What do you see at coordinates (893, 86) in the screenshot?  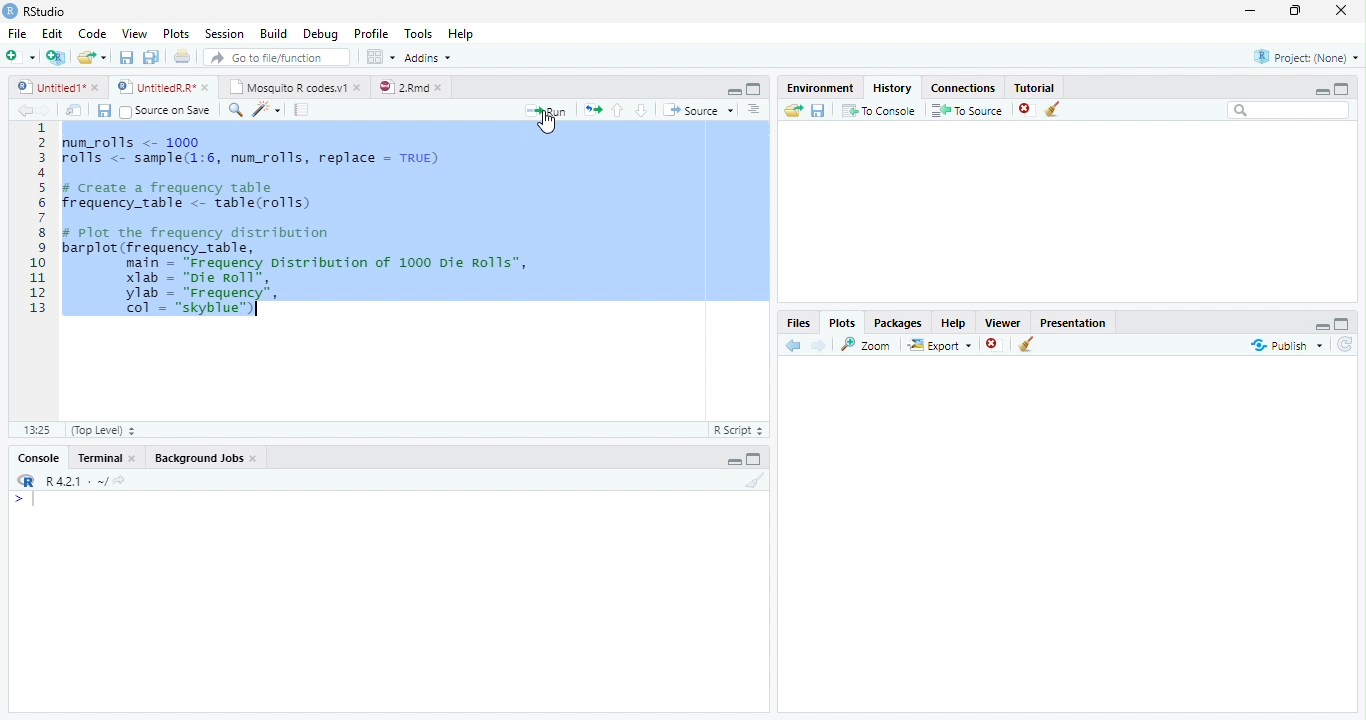 I see `History` at bounding box center [893, 86].